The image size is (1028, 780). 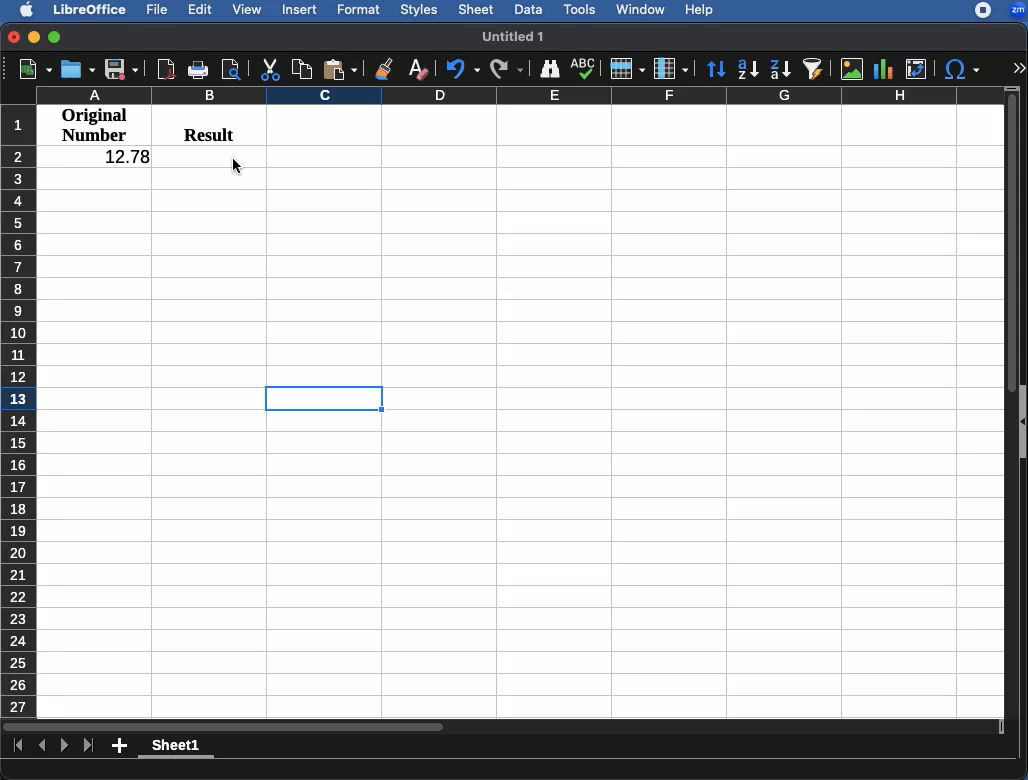 I want to click on Image, so click(x=851, y=69).